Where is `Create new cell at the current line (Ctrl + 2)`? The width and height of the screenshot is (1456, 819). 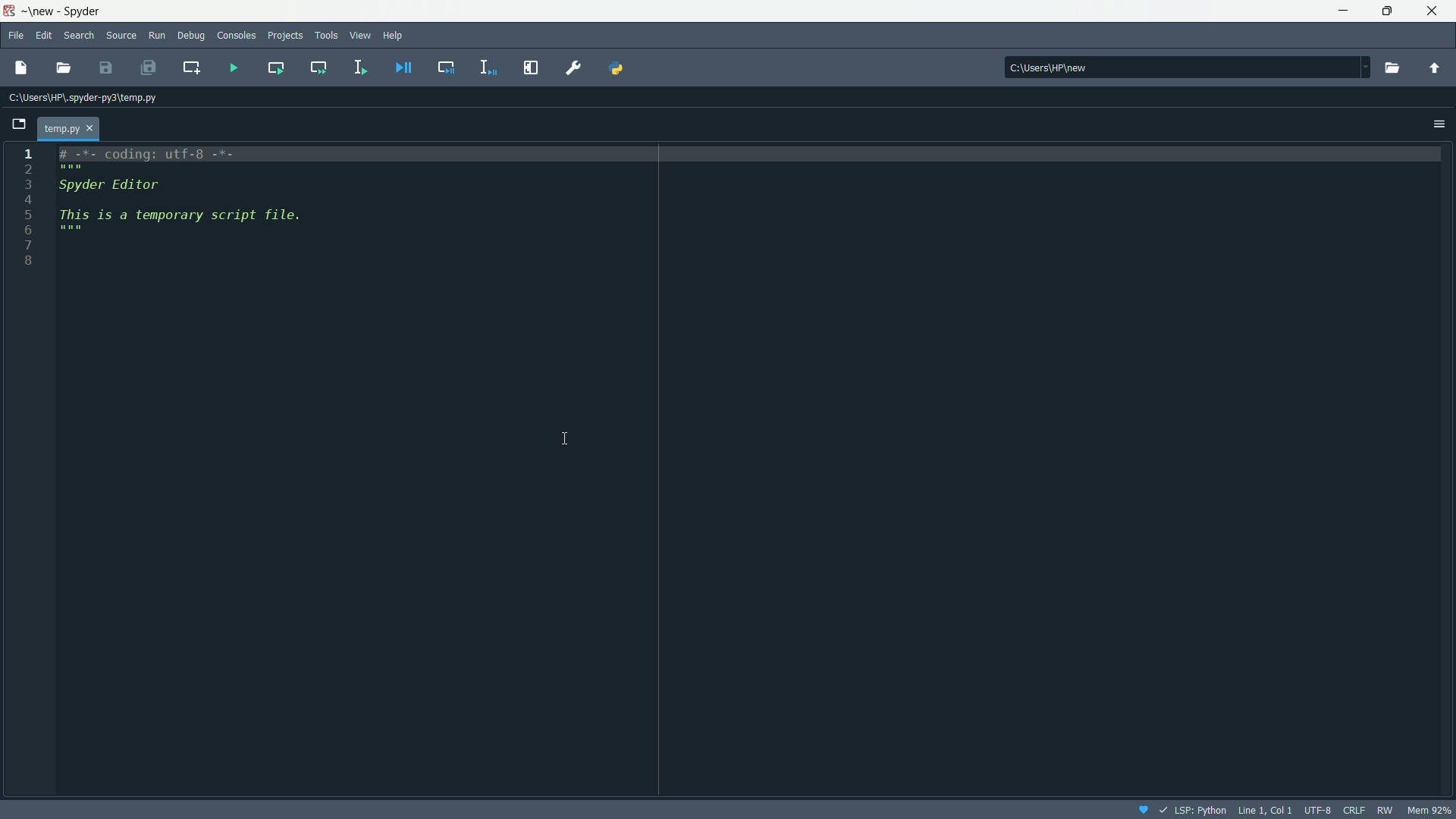 Create new cell at the current line (Ctrl + 2) is located at coordinates (190, 67).